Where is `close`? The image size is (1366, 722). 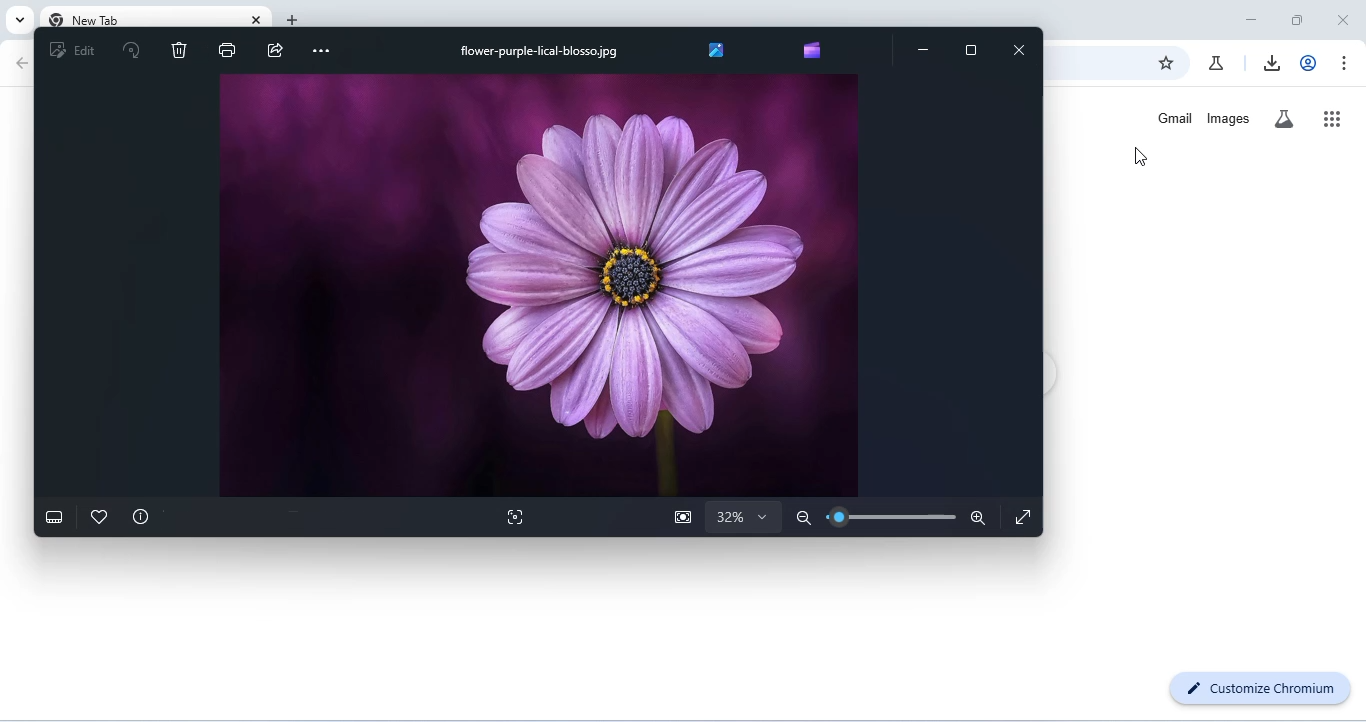
close is located at coordinates (1015, 47).